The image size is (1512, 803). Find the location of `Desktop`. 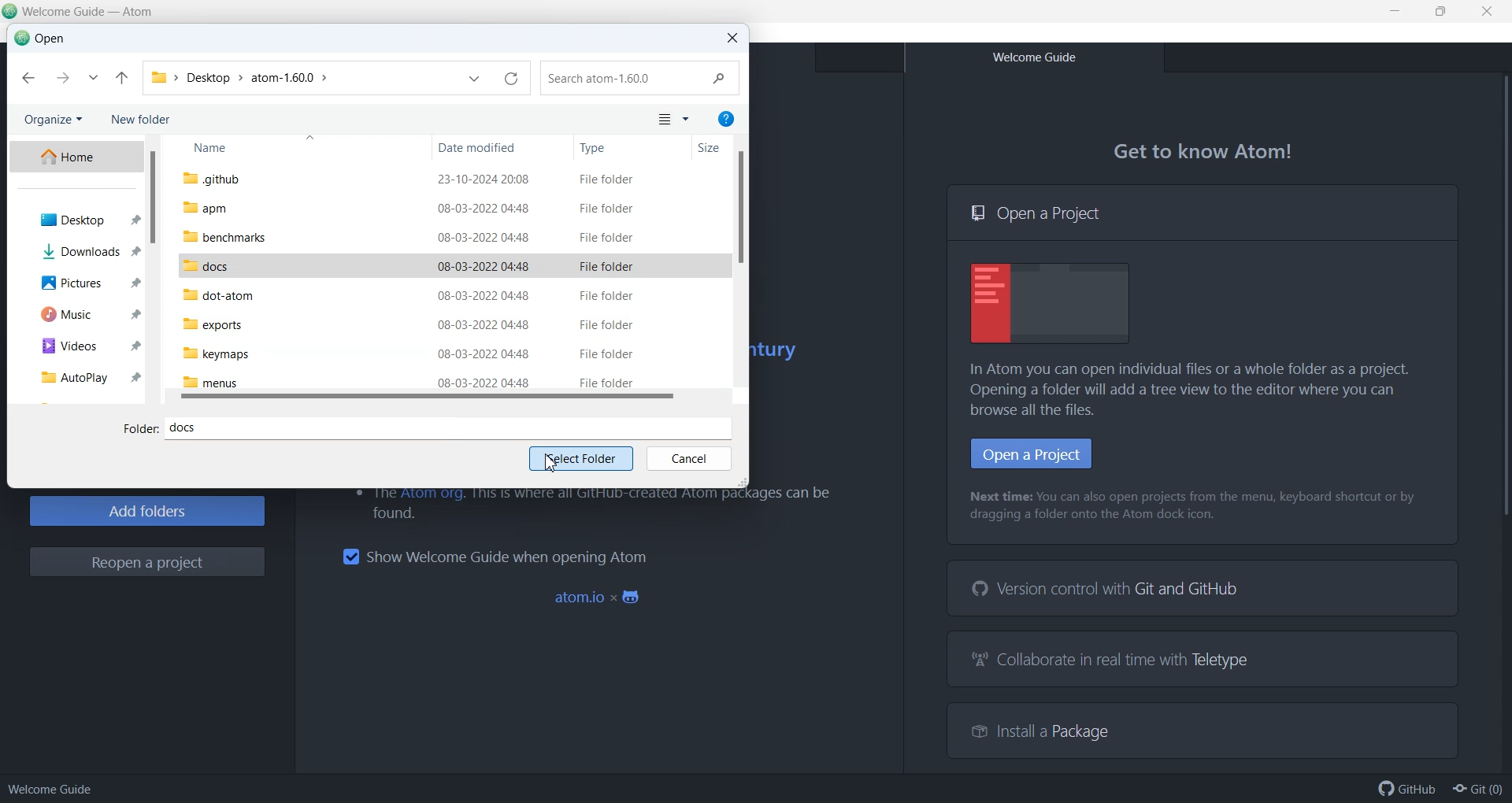

Desktop is located at coordinates (207, 77).